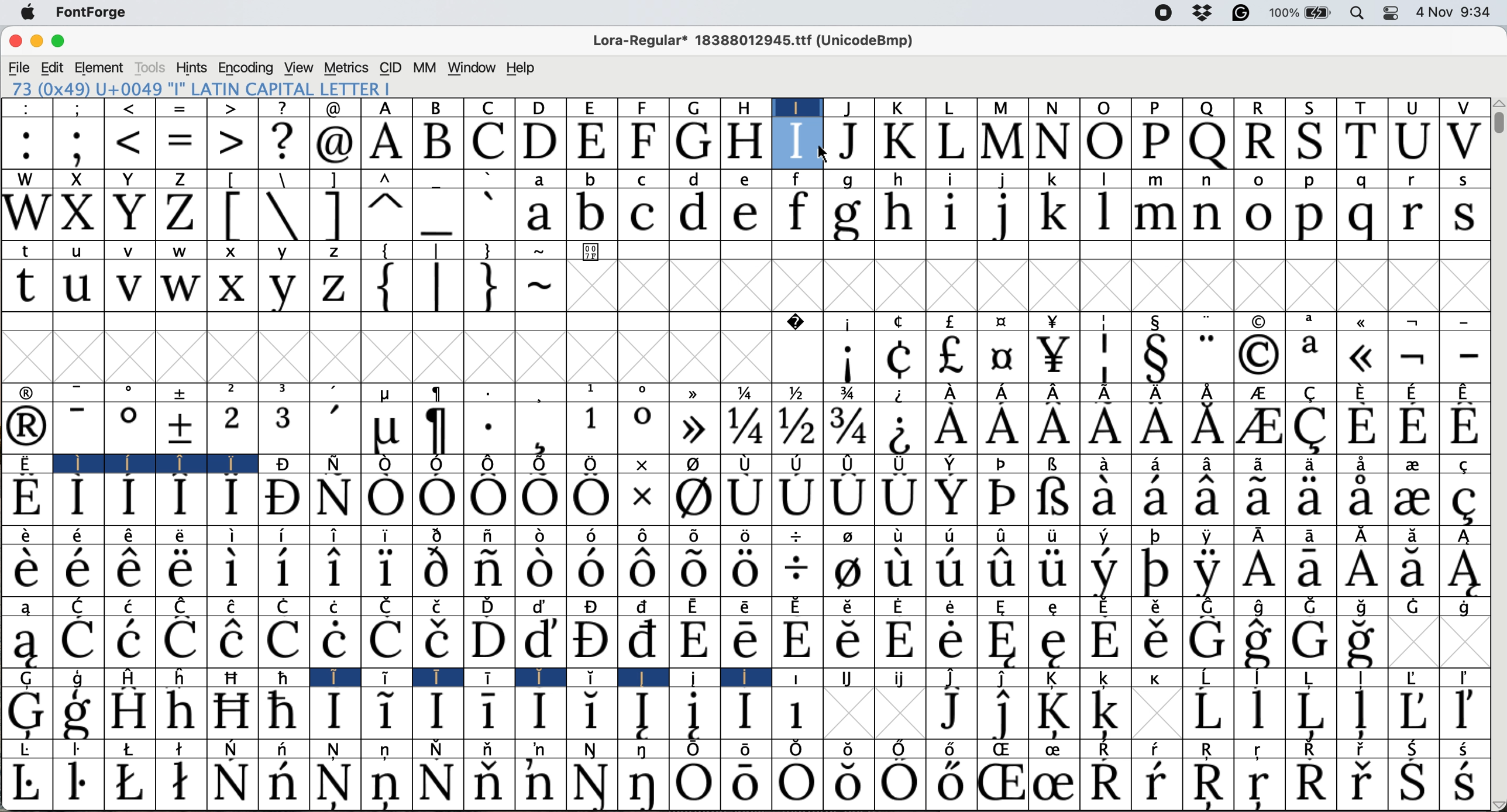  What do you see at coordinates (949, 640) in the screenshot?
I see `Symbol` at bounding box center [949, 640].